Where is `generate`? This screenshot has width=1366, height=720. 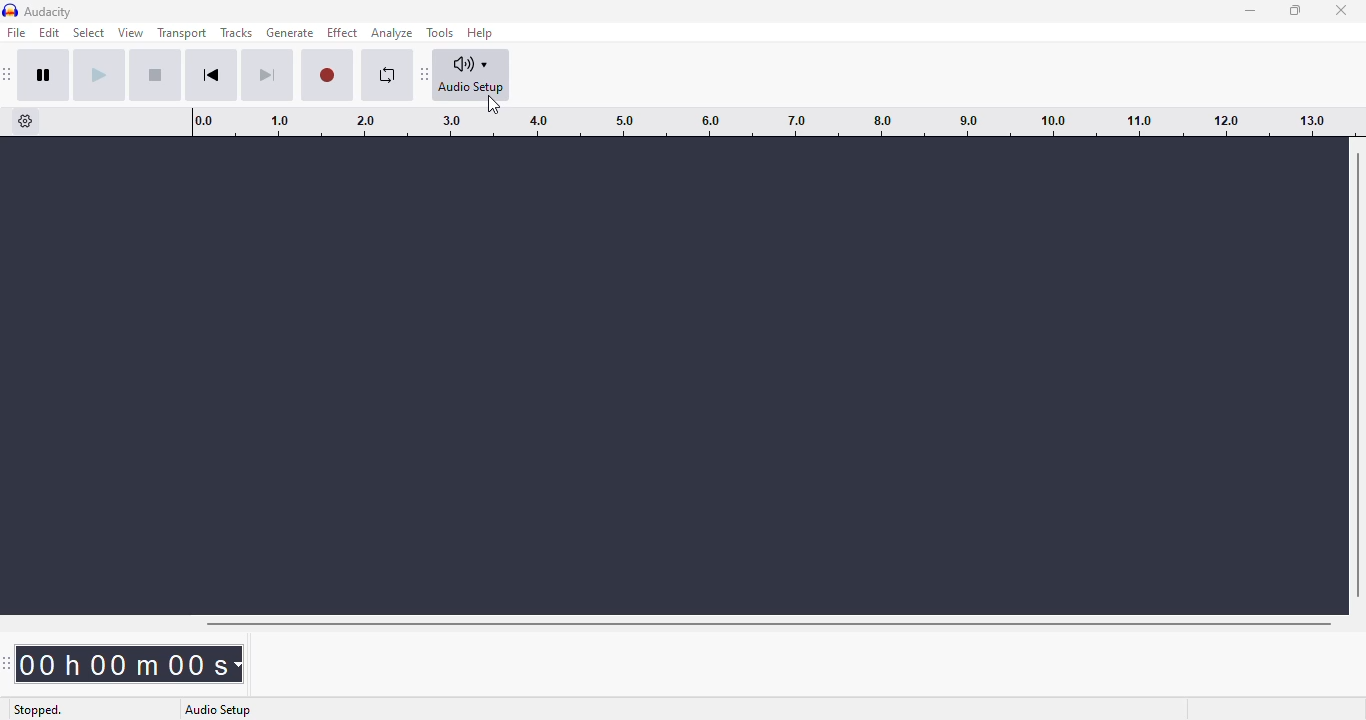
generate is located at coordinates (291, 33).